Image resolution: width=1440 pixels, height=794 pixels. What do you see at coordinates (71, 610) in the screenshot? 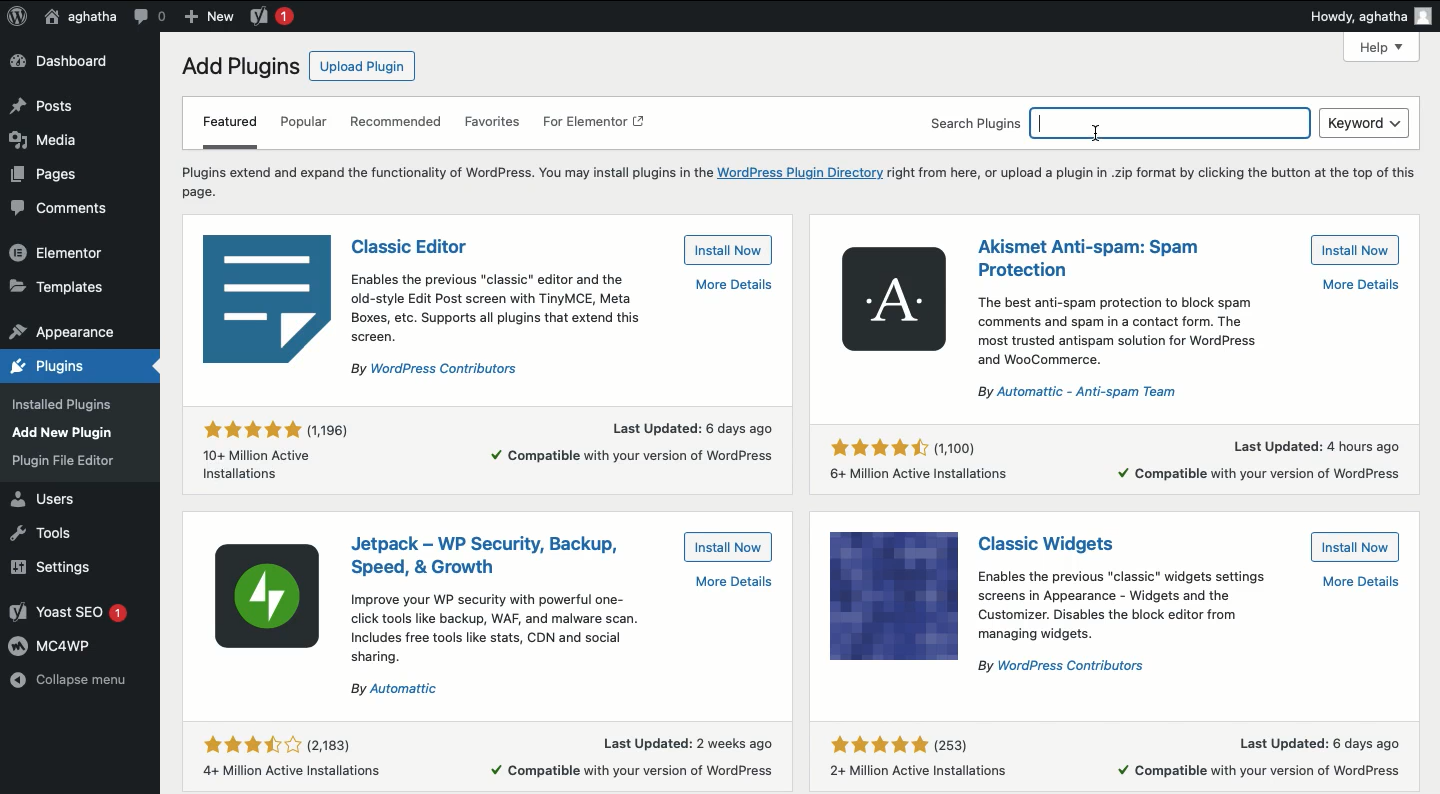
I see `Yoast SEO` at bounding box center [71, 610].